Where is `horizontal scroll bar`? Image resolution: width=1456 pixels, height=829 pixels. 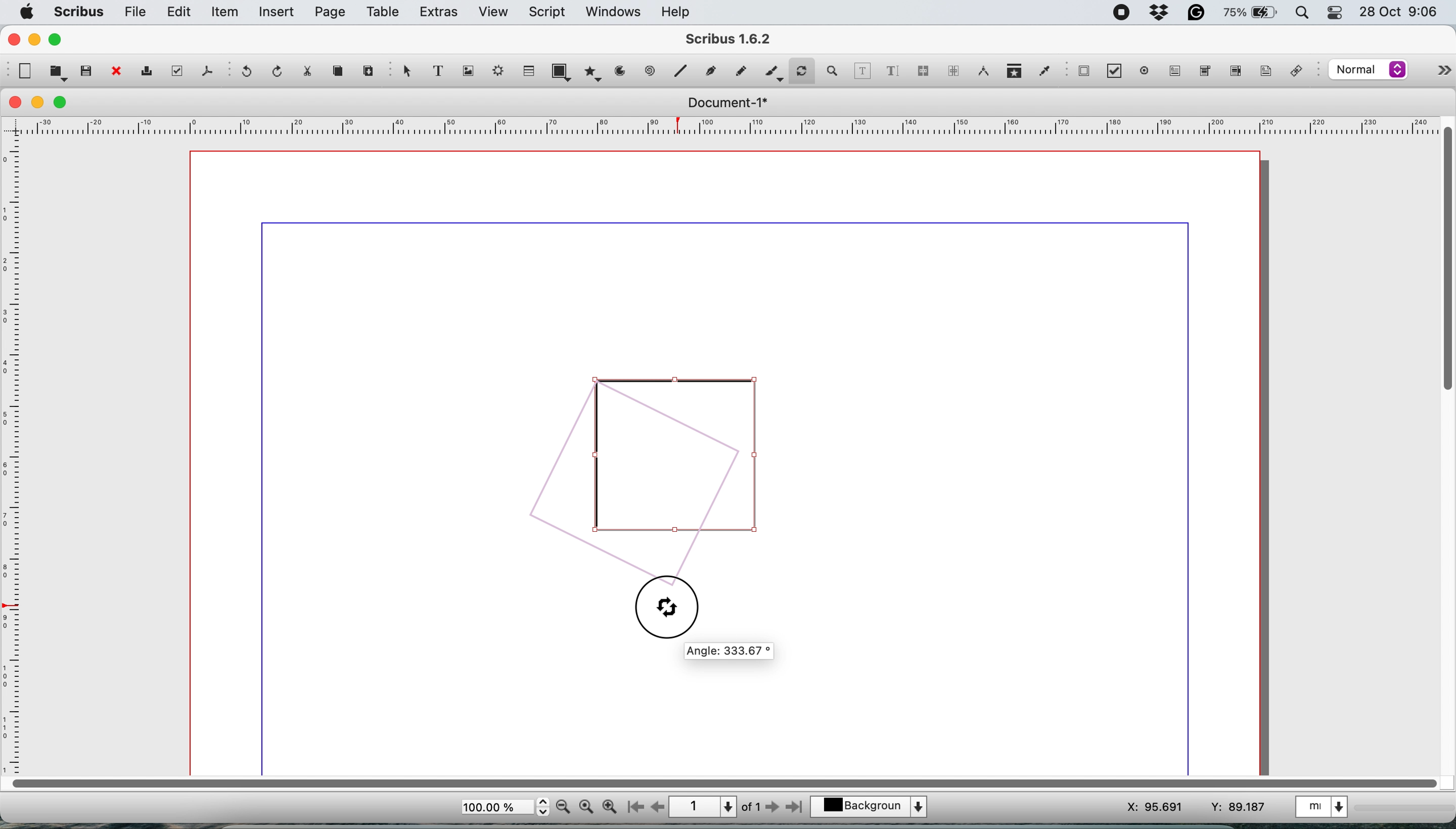 horizontal scroll bar is located at coordinates (720, 782).